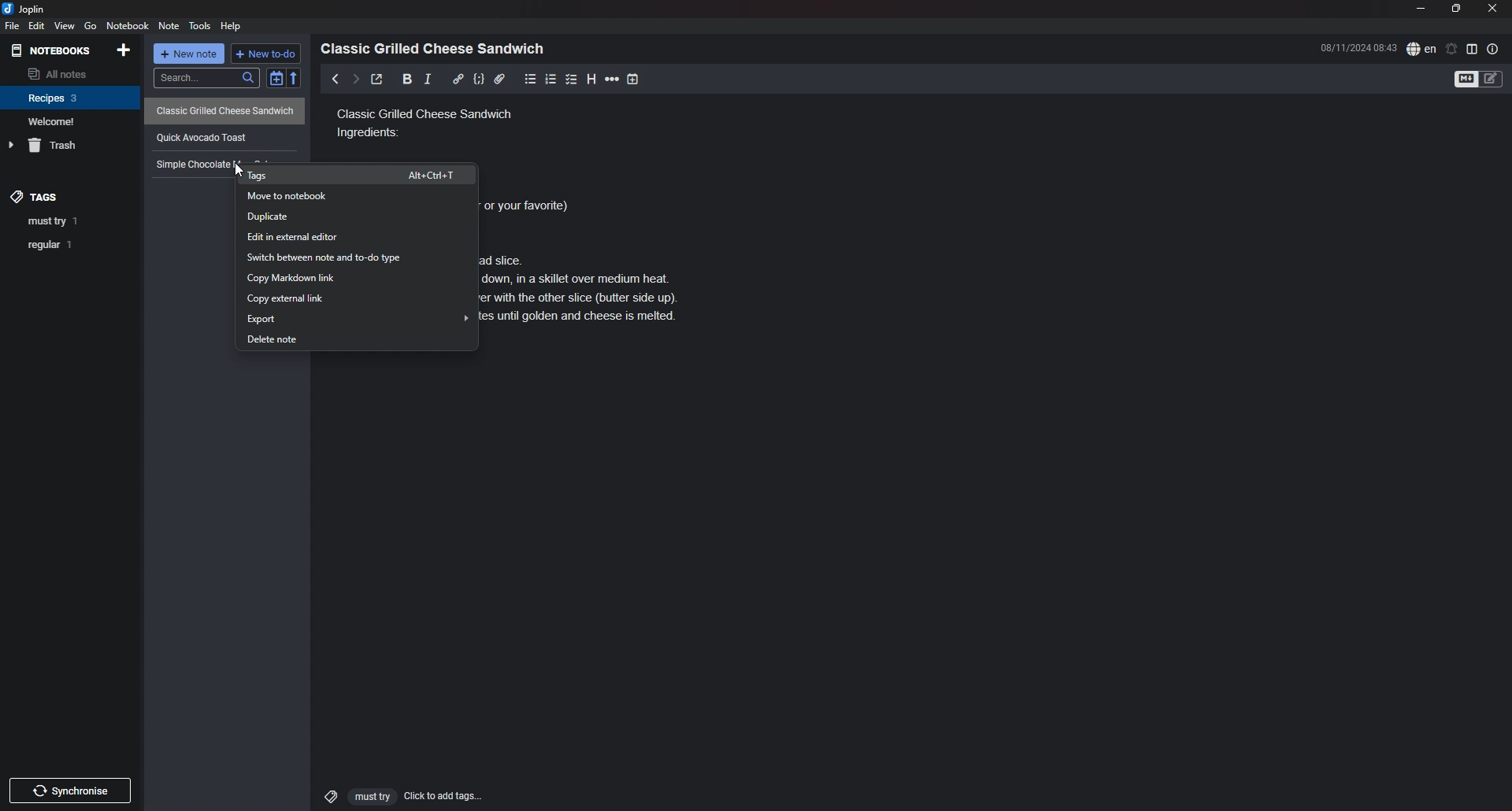 Image resolution: width=1512 pixels, height=811 pixels. I want to click on copy markdown link, so click(358, 278).